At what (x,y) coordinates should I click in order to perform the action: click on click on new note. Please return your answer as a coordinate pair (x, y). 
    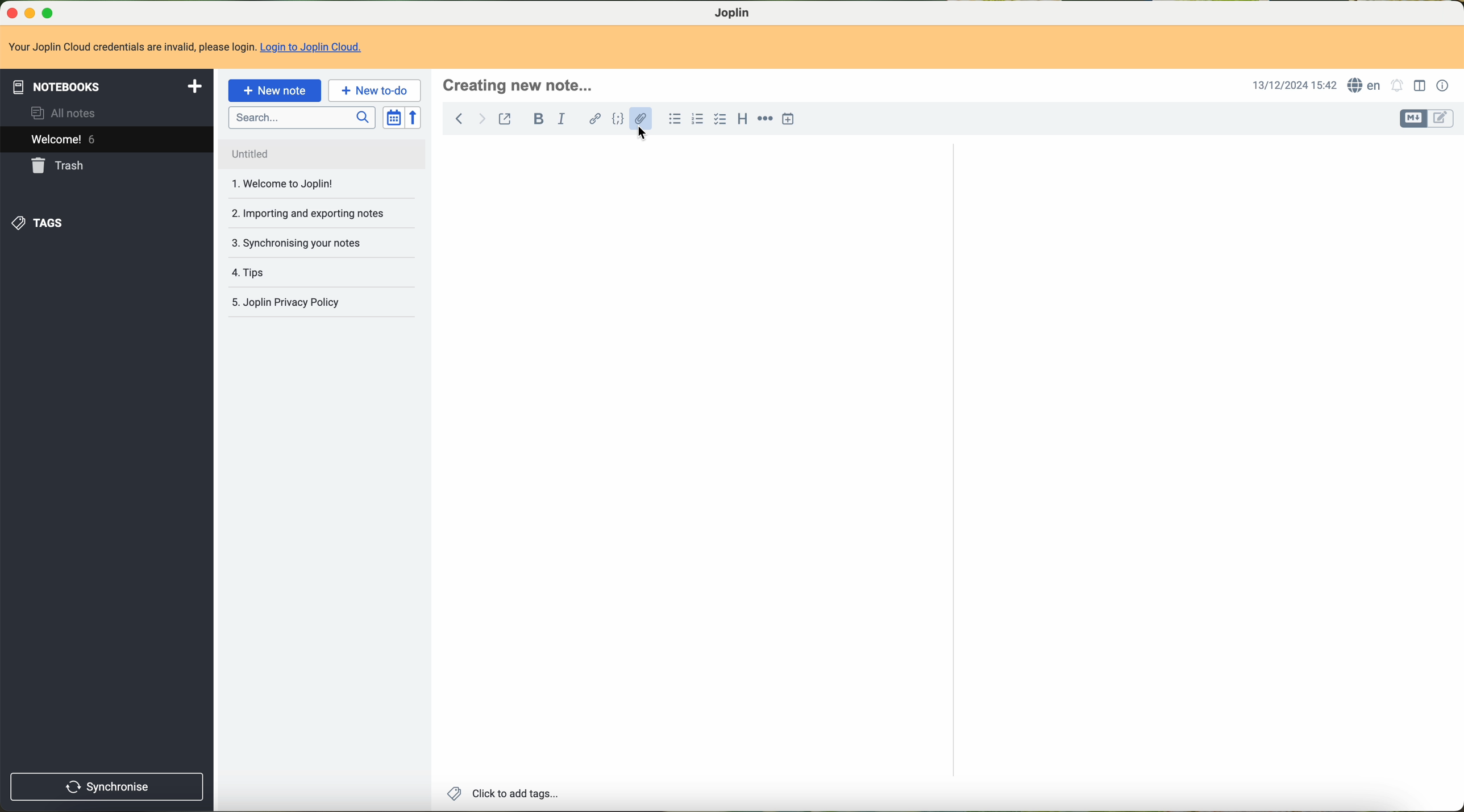
    Looking at the image, I should click on (276, 90).